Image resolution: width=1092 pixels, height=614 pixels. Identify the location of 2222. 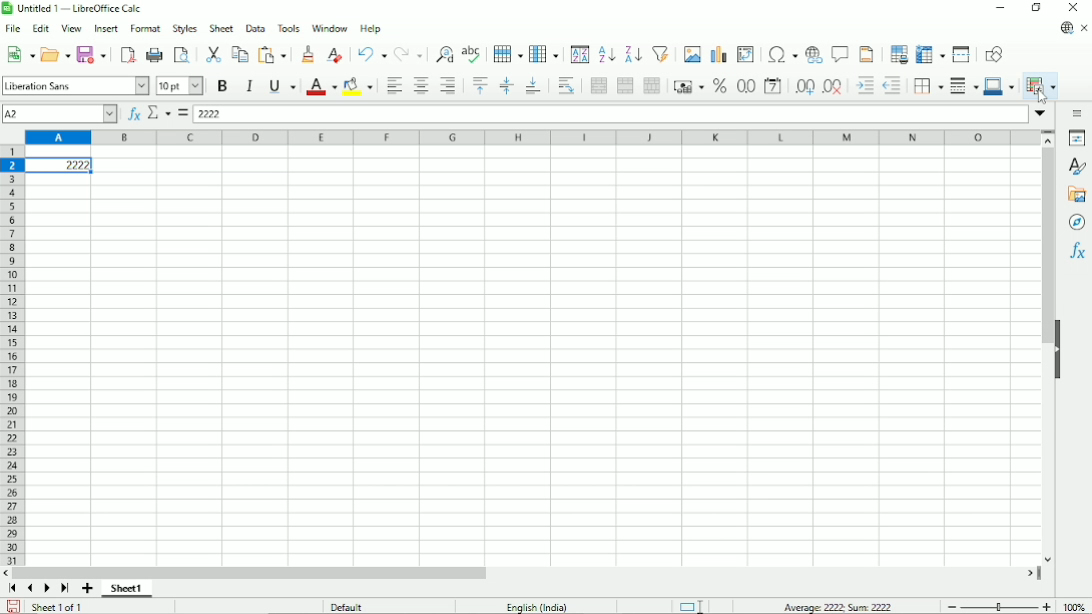
(60, 165).